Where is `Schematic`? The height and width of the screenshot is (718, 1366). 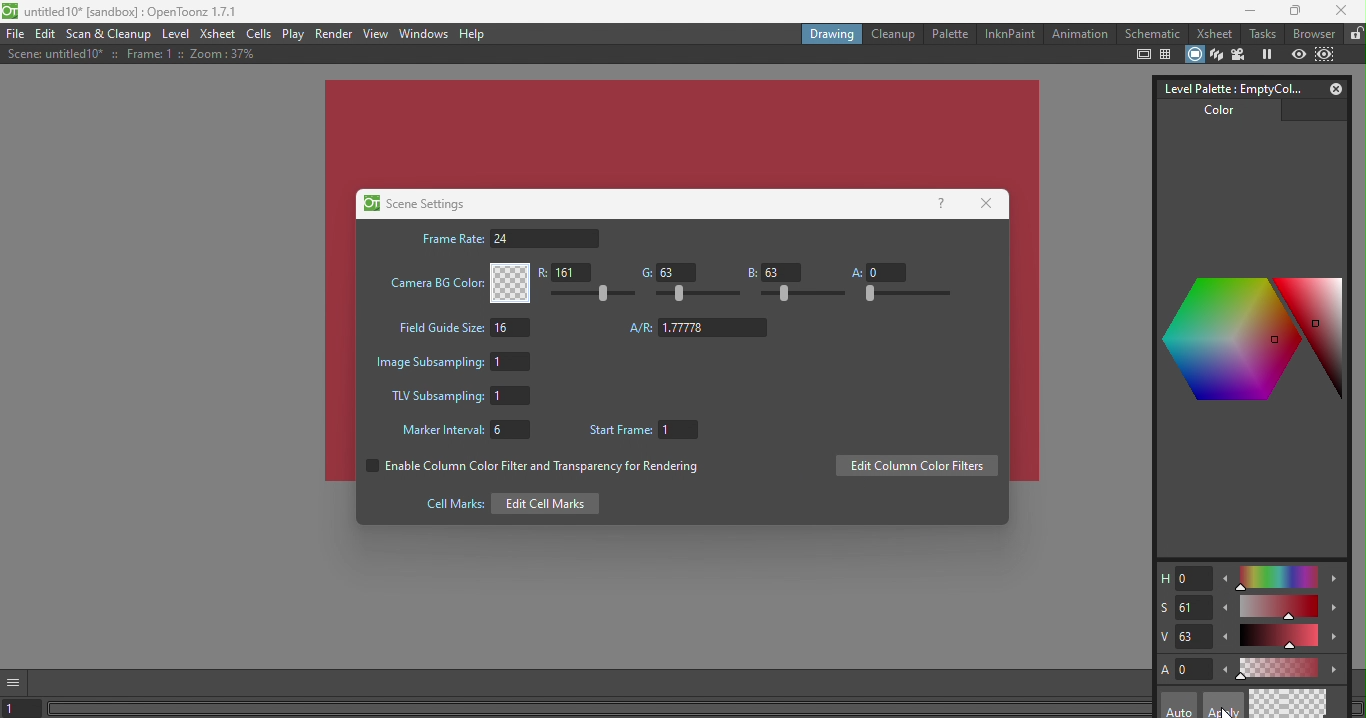 Schematic is located at coordinates (1152, 34).